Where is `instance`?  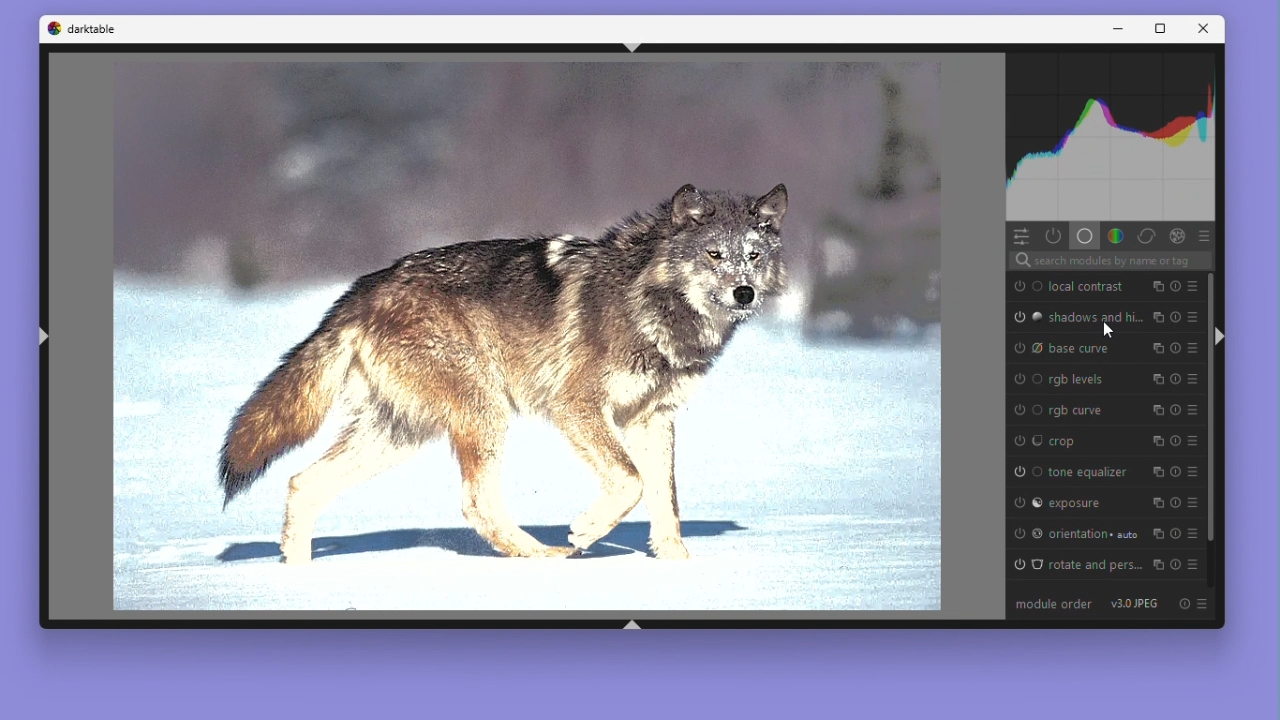 instance is located at coordinates (1159, 533).